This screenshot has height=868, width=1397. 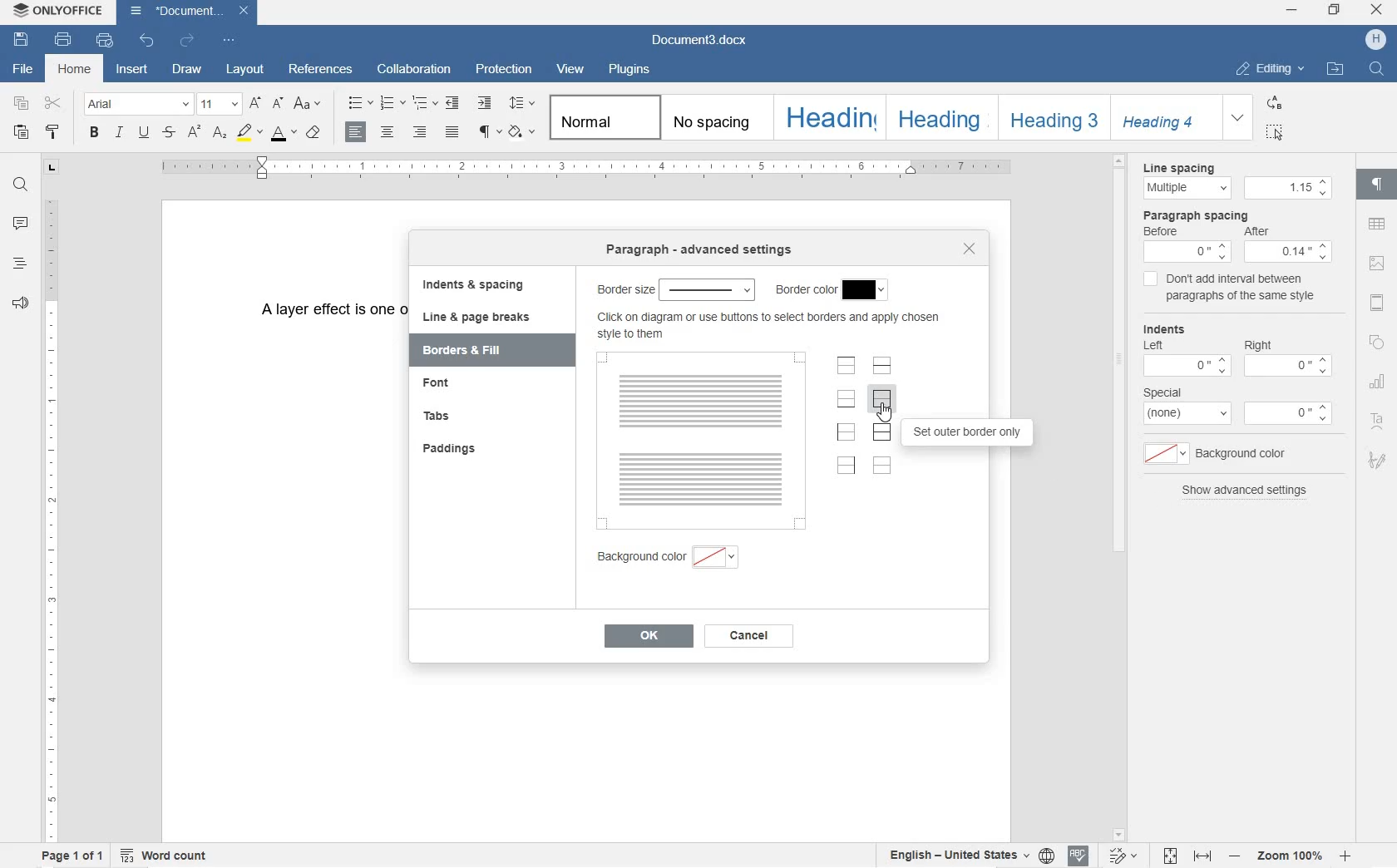 I want to click on Before, so click(x=1187, y=245).